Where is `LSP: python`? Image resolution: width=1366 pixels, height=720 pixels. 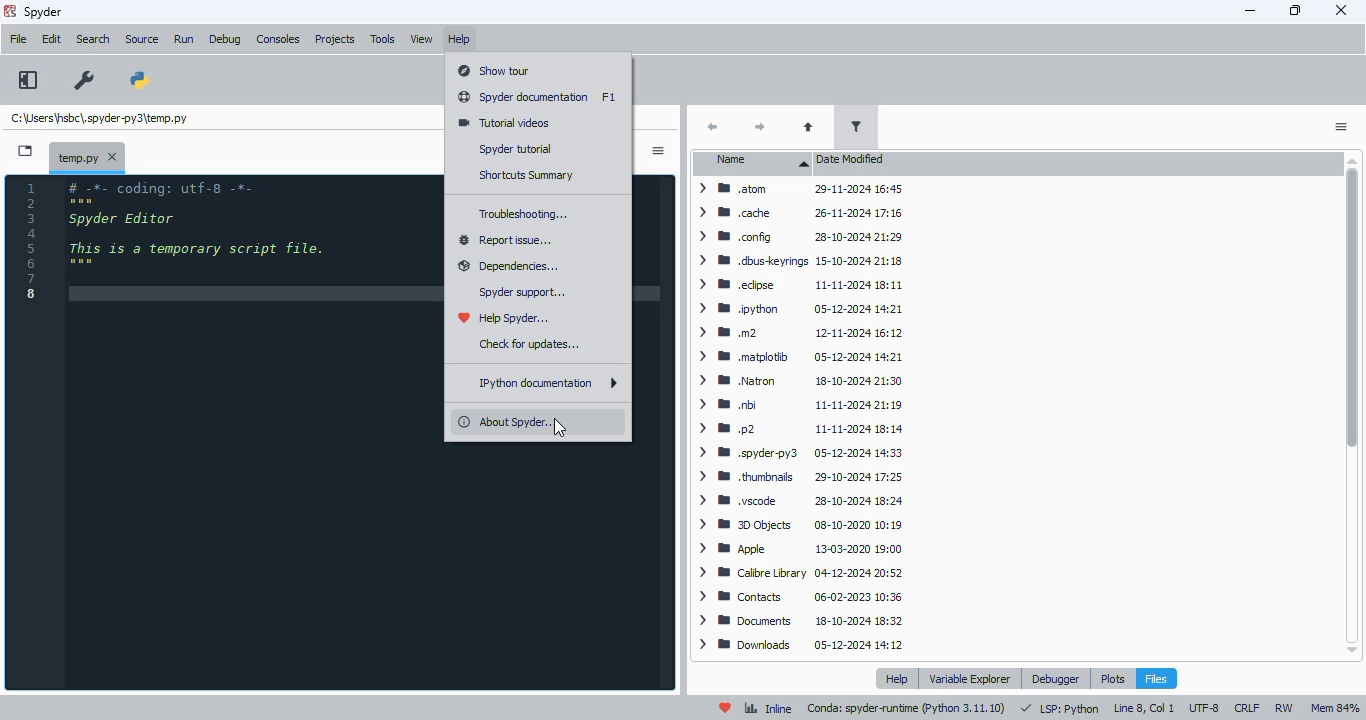 LSP: python is located at coordinates (1060, 709).